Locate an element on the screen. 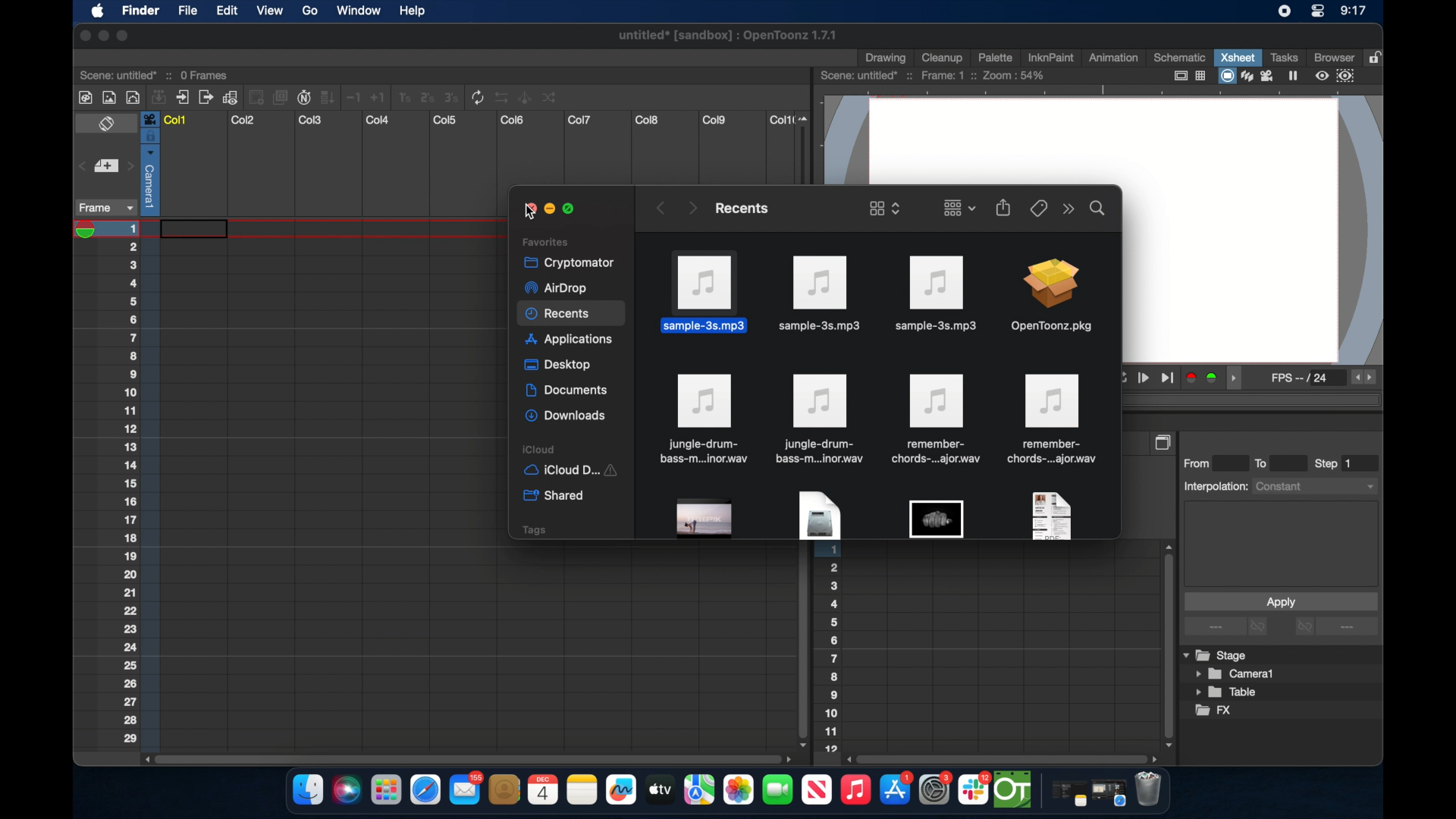 This screenshot has width=1456, height=819. recents is located at coordinates (572, 315).